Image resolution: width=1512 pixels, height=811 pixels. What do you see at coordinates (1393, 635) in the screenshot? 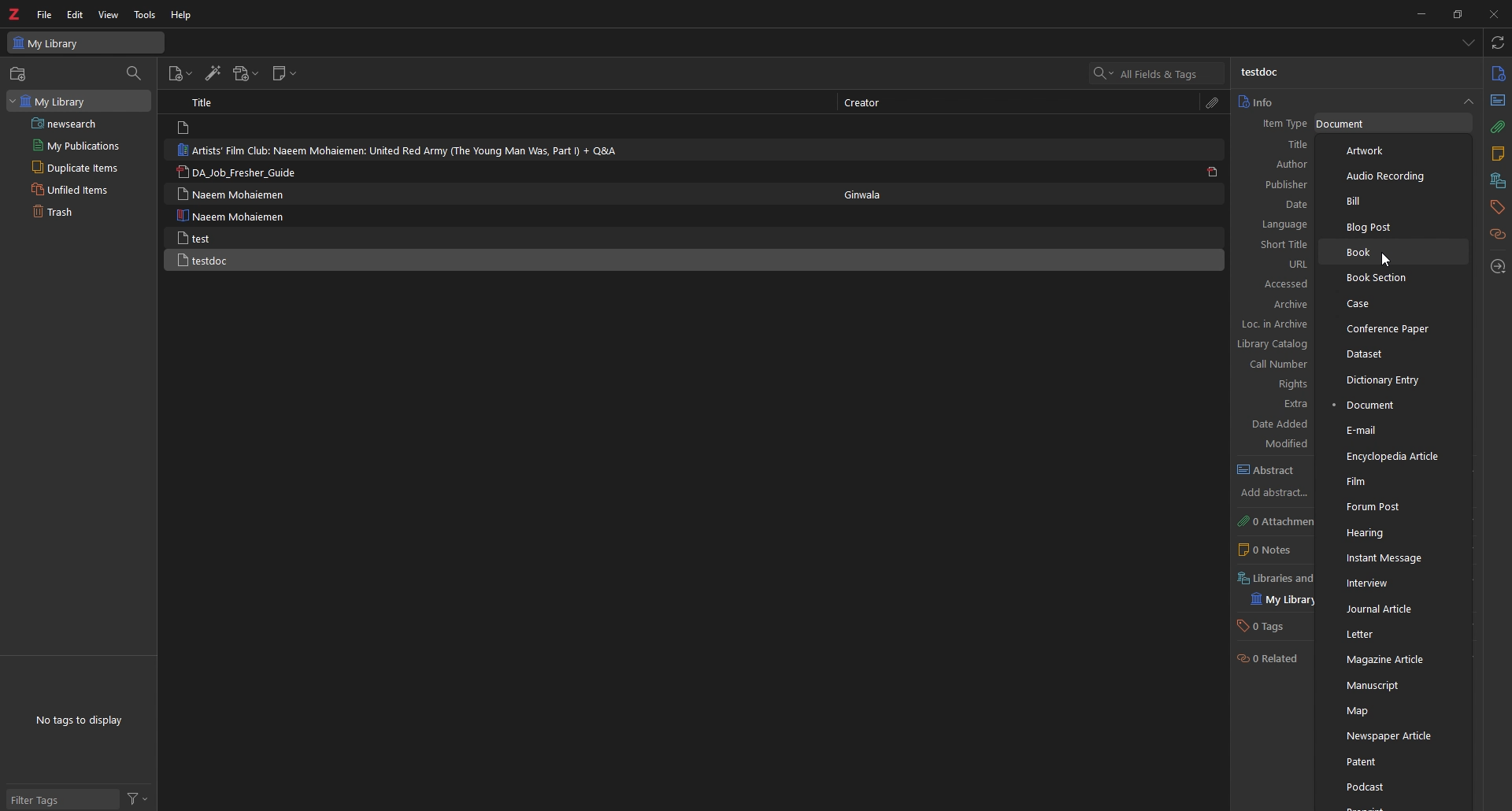
I see `letter` at bounding box center [1393, 635].